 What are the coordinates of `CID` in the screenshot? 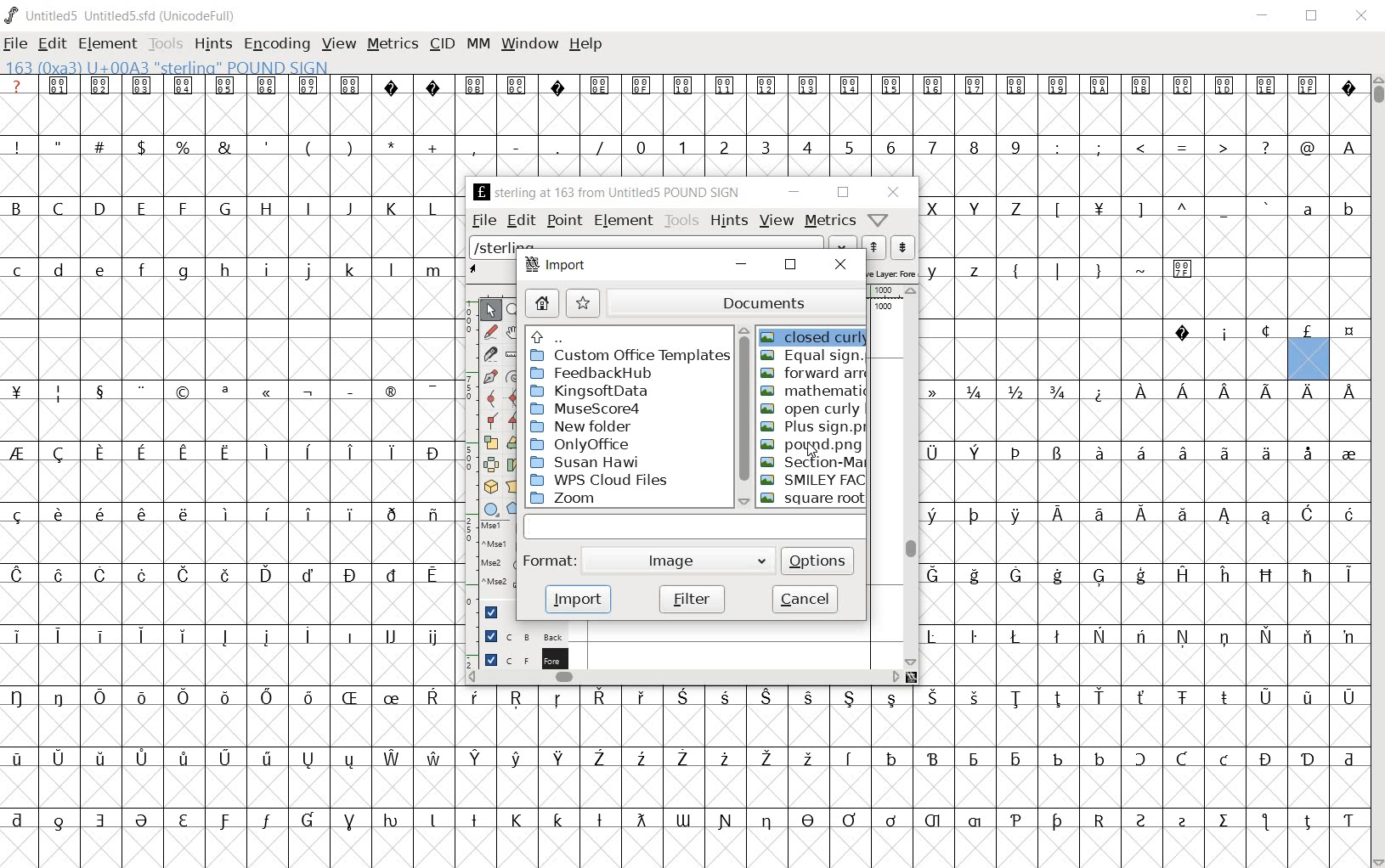 It's located at (442, 45).